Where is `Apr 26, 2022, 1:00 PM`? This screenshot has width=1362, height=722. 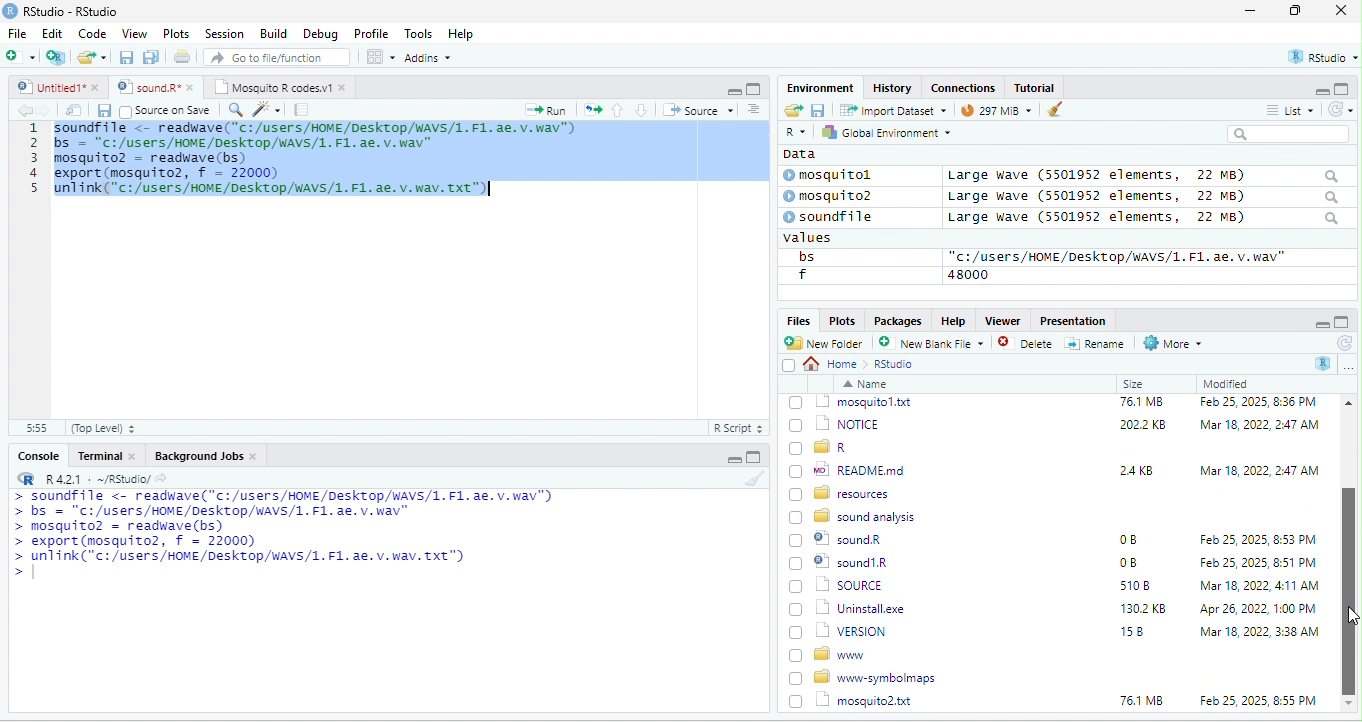 Apr 26, 2022, 1:00 PM is located at coordinates (1260, 706).